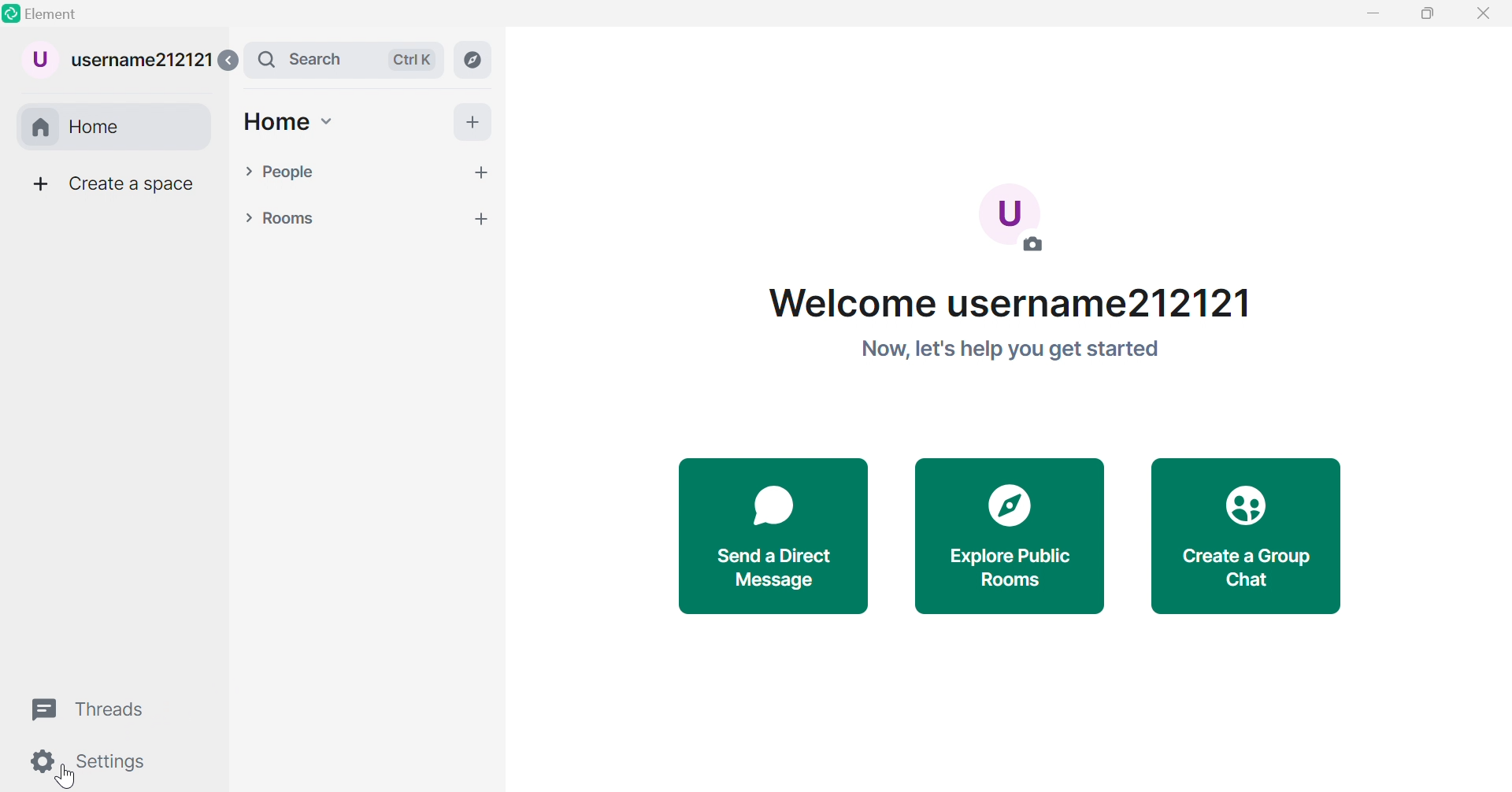  Describe the element at coordinates (480, 218) in the screenshot. I see `more` at that location.